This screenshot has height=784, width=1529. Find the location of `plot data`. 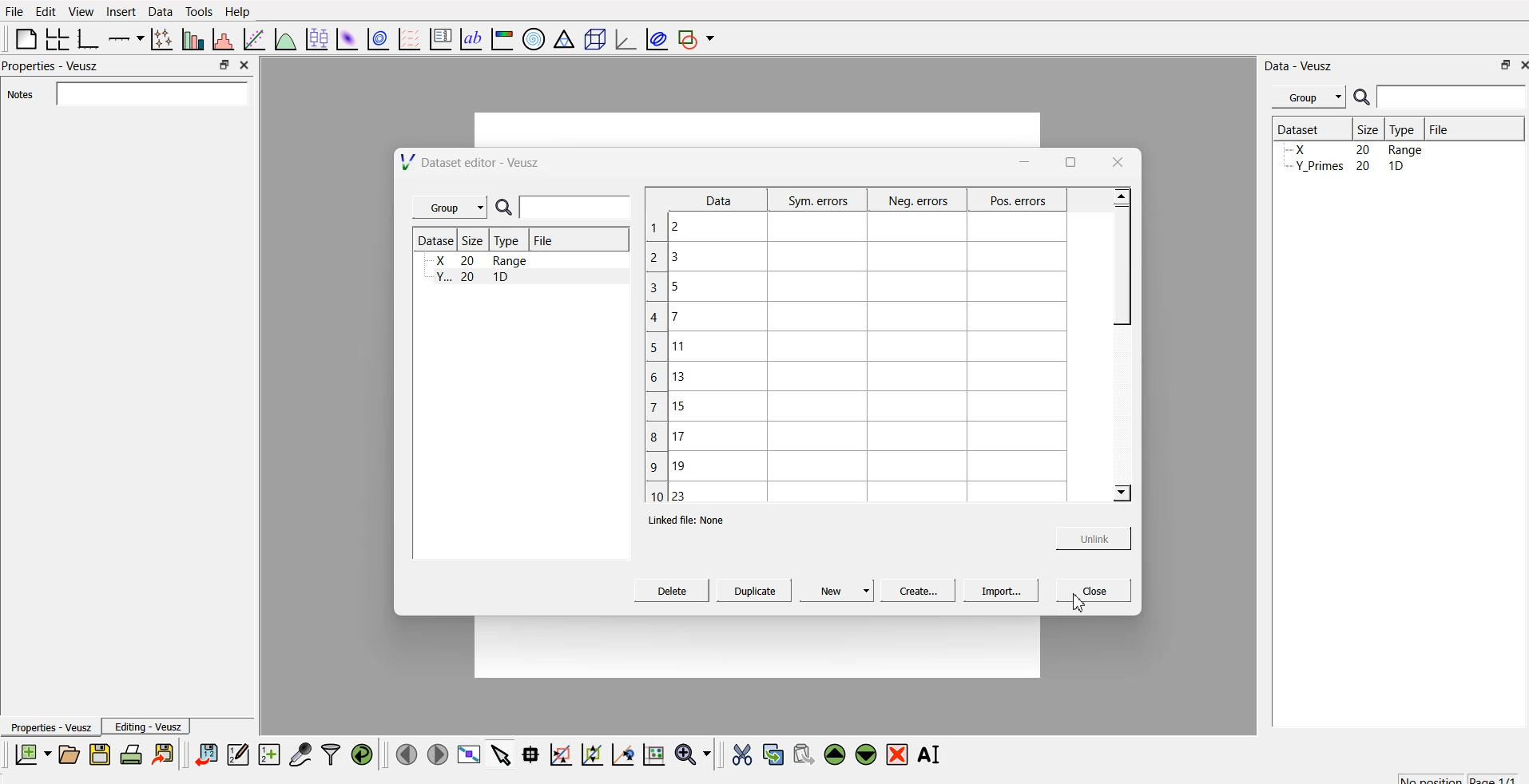

plot data is located at coordinates (379, 38).